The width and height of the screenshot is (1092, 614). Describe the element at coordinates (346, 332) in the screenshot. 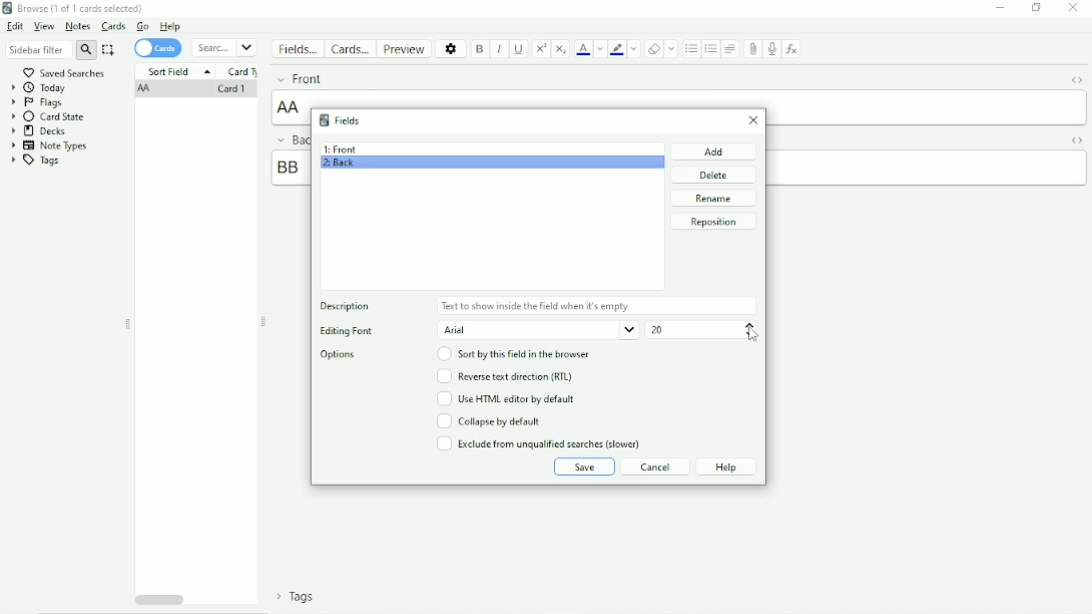

I see `Editing Font` at that location.